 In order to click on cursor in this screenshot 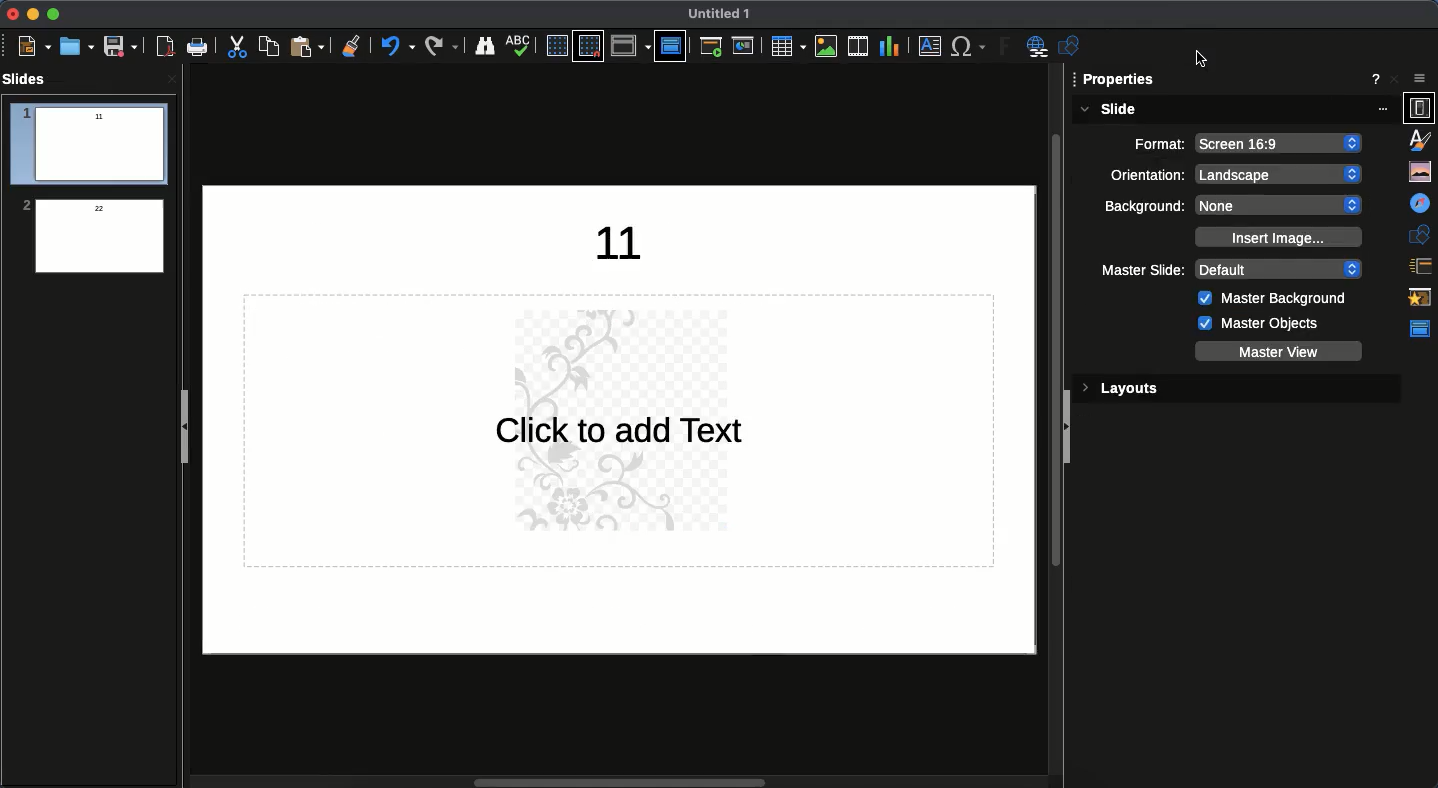, I will do `click(1212, 58)`.